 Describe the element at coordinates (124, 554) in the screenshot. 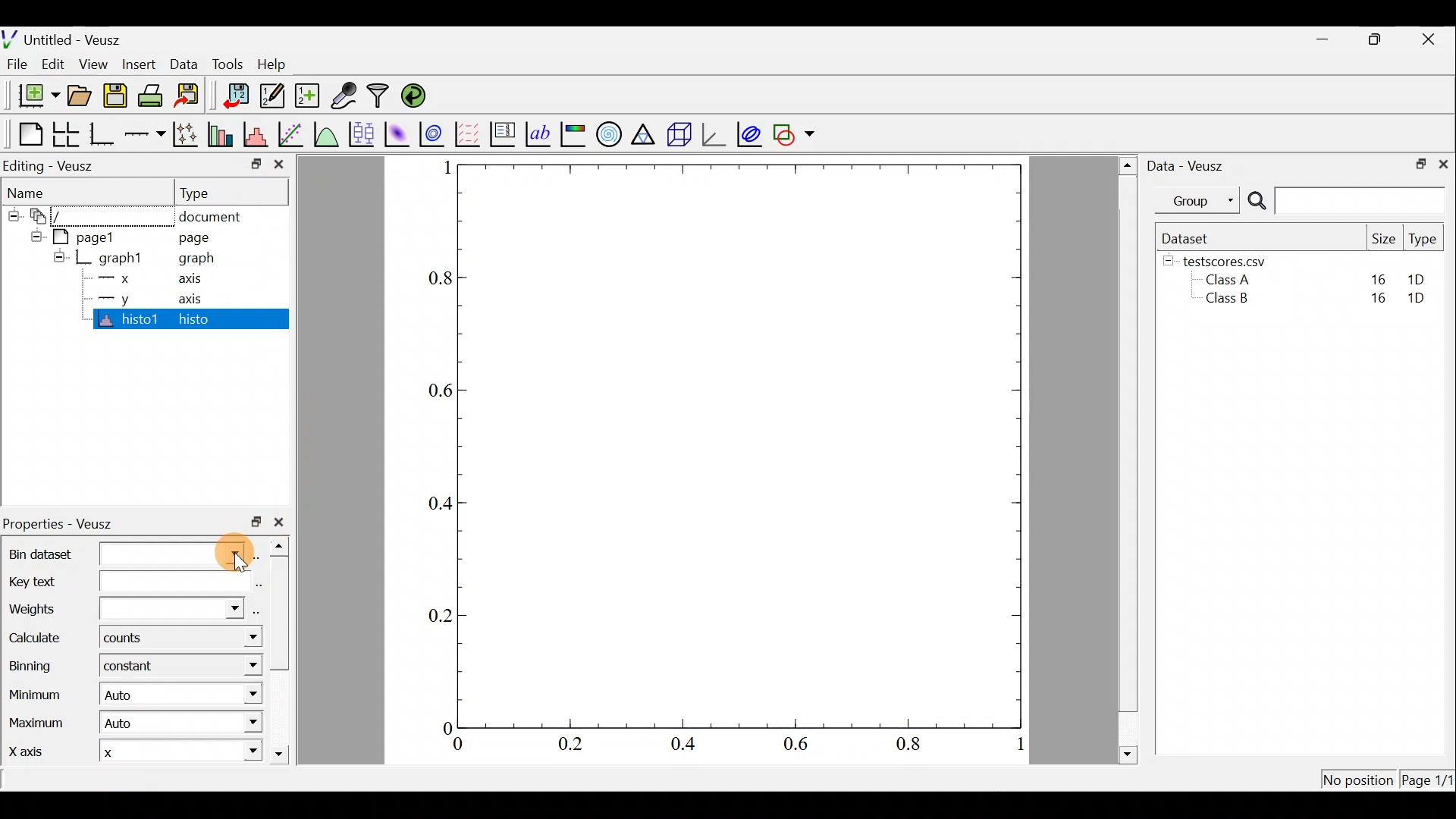

I see `Bin dataset` at that location.